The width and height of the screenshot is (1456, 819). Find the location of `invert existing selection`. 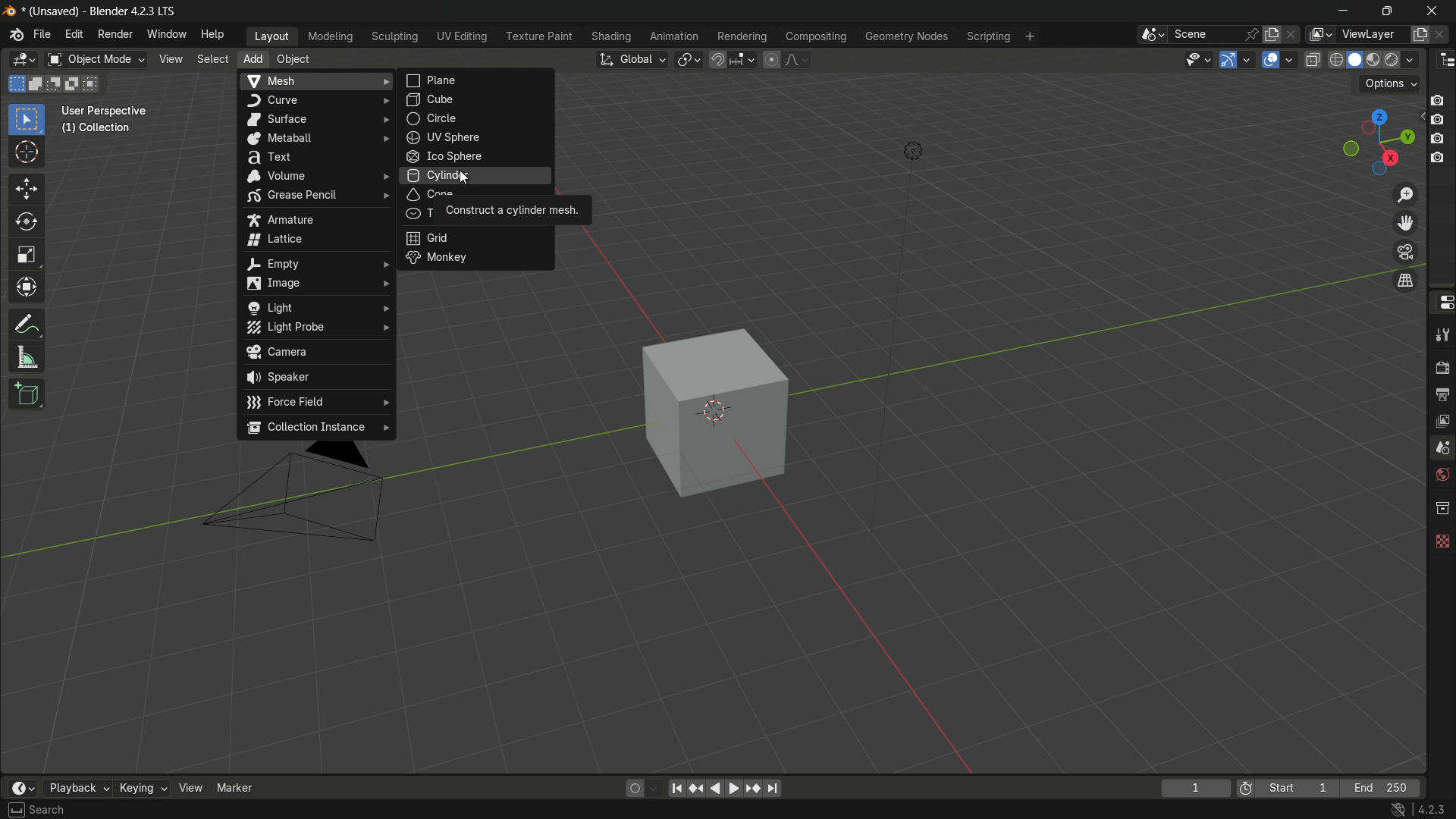

invert existing selection is located at coordinates (75, 83).